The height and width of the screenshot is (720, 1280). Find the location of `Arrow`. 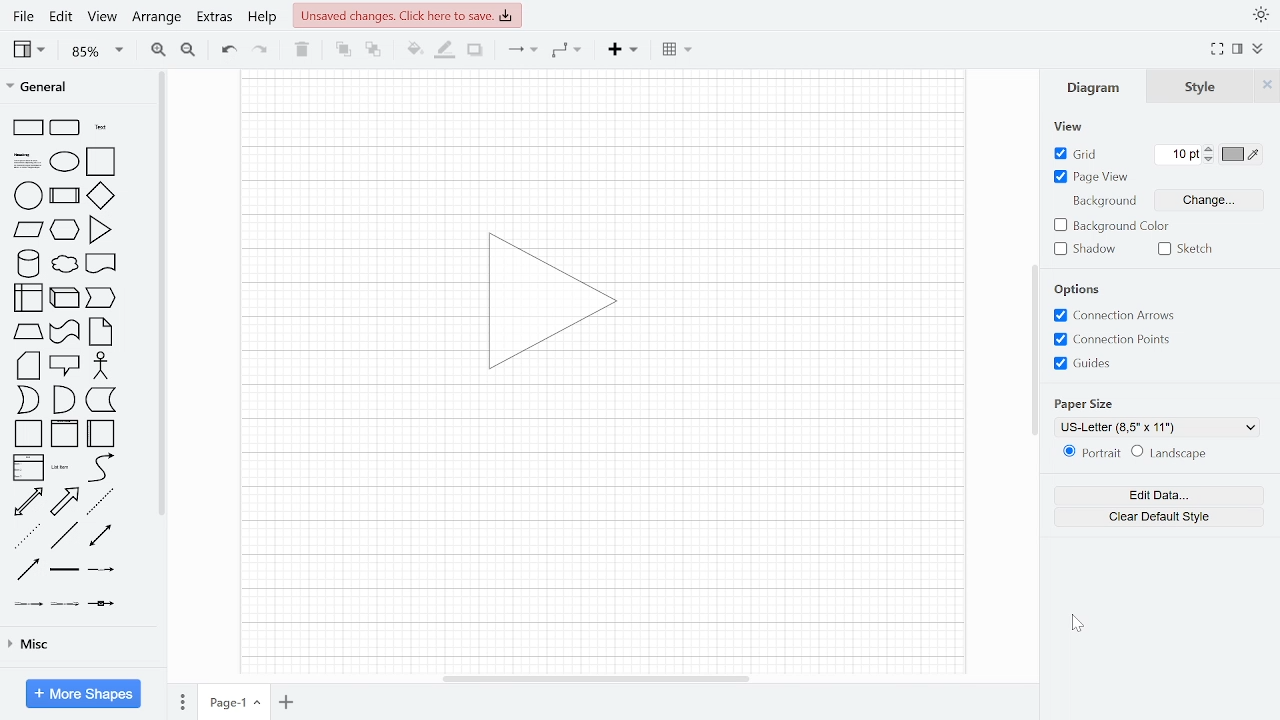

Arrow is located at coordinates (64, 502).